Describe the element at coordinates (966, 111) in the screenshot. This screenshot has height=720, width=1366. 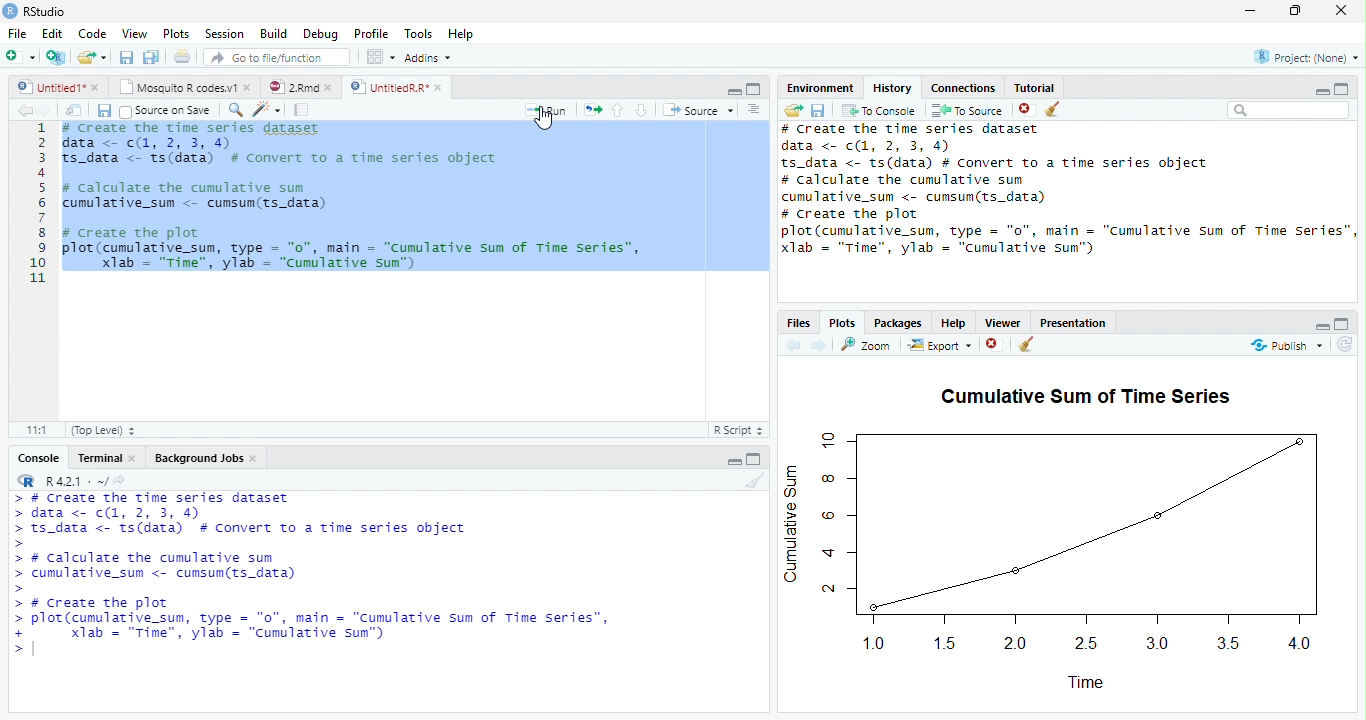
I see `To Source` at that location.